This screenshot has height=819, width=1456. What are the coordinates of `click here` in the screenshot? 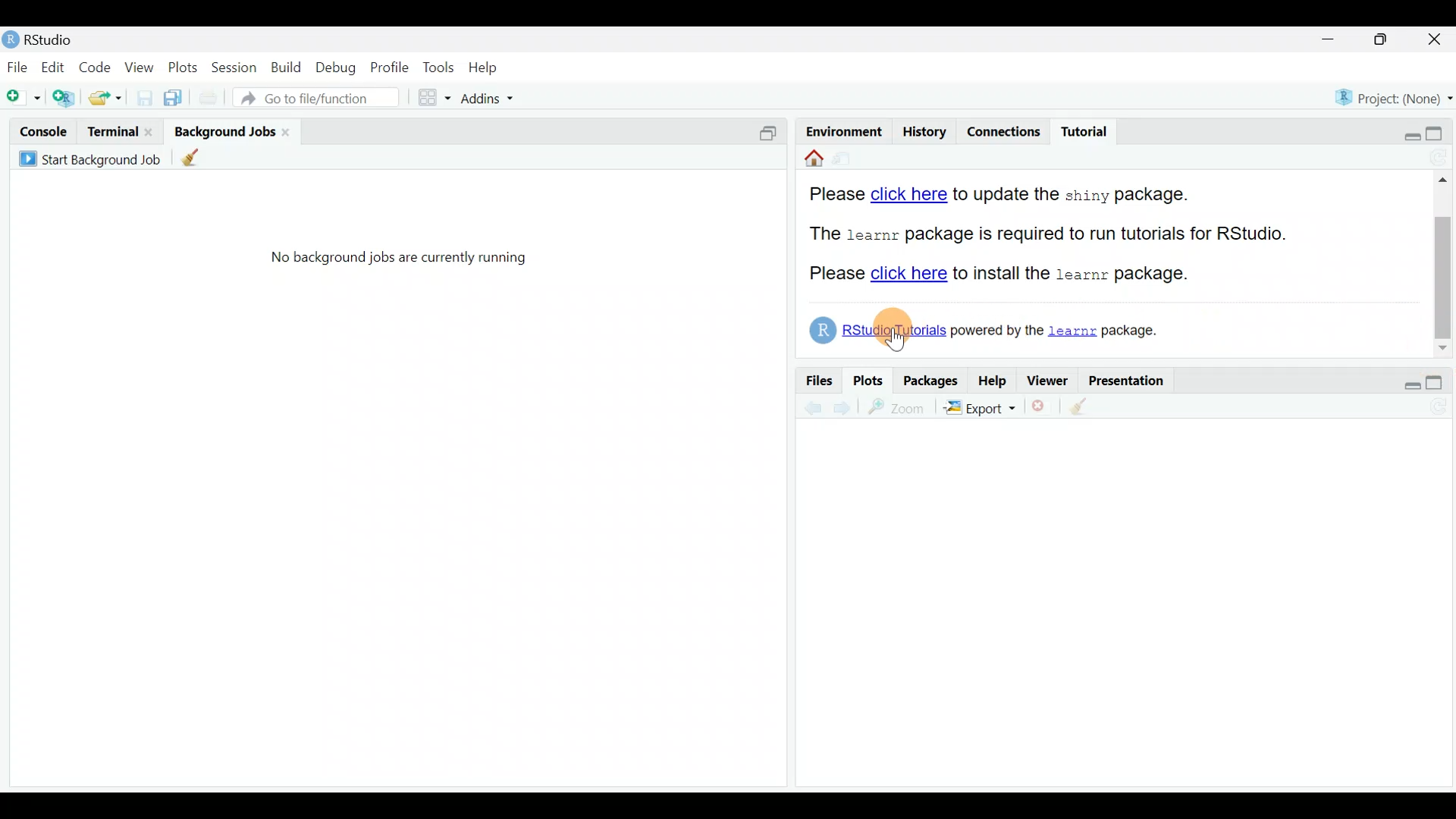 It's located at (908, 194).